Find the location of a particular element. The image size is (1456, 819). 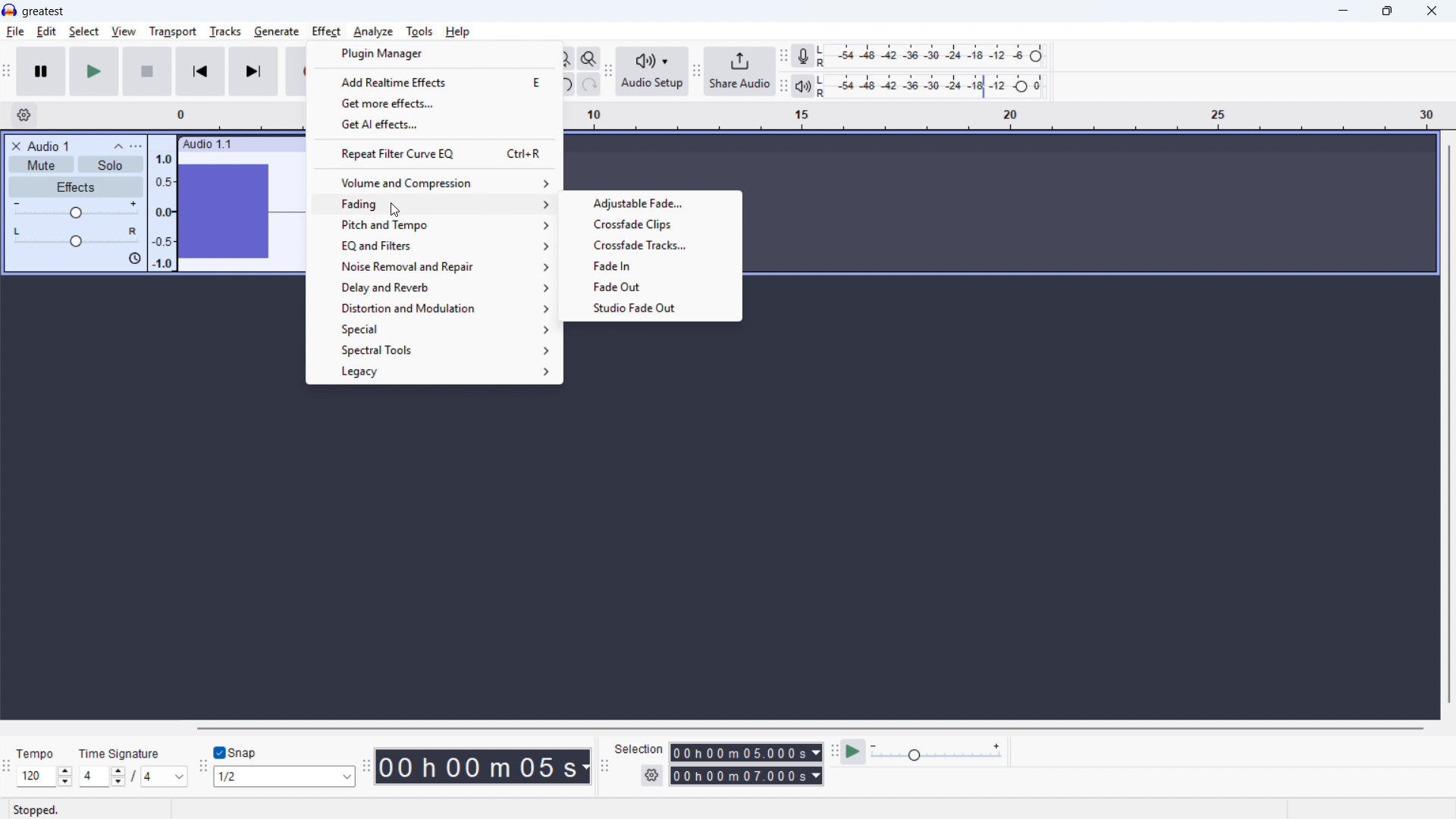

selection is located at coordinates (639, 749).